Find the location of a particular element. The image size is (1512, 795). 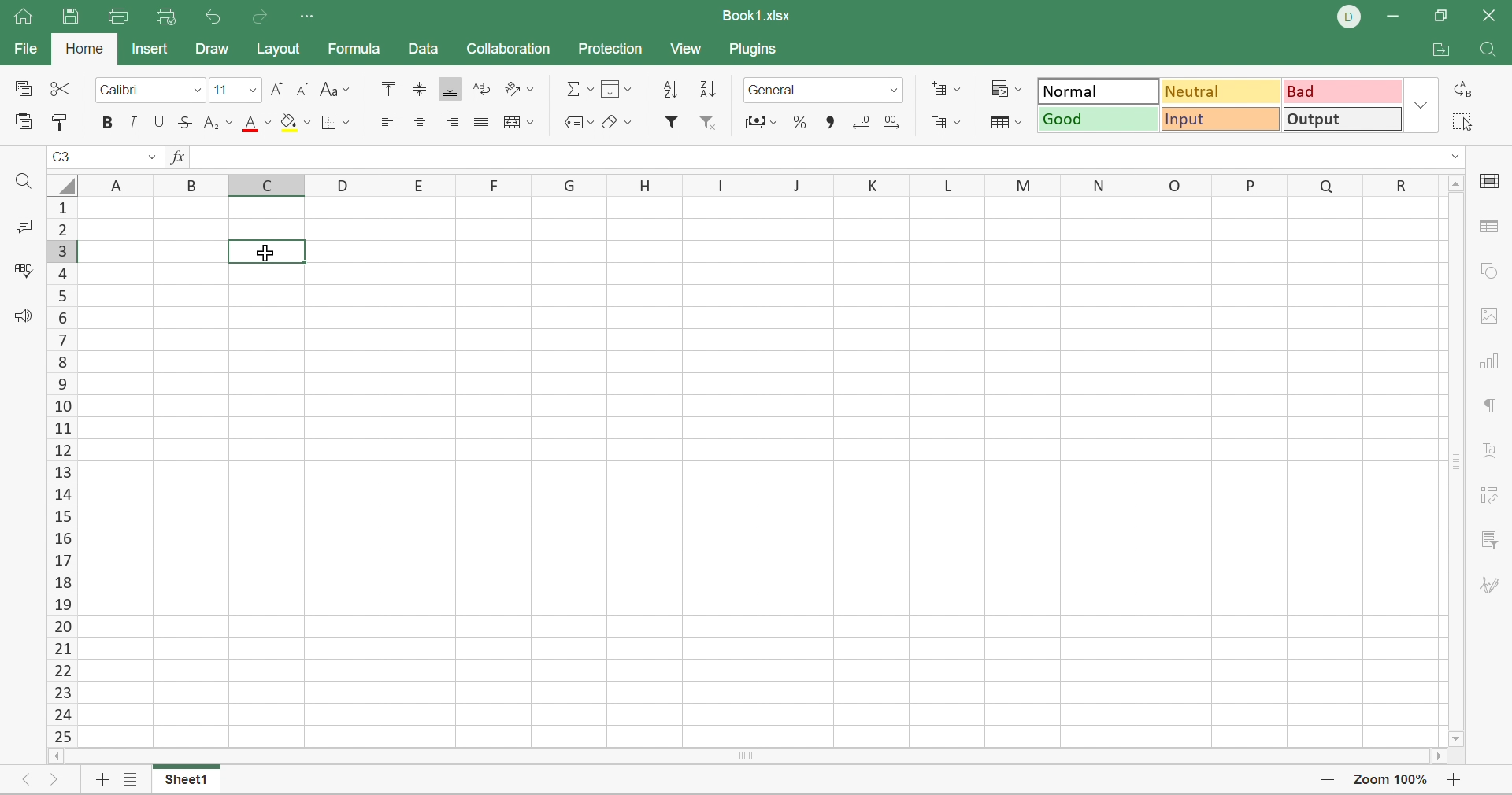

Scroll Up is located at coordinates (1458, 187).